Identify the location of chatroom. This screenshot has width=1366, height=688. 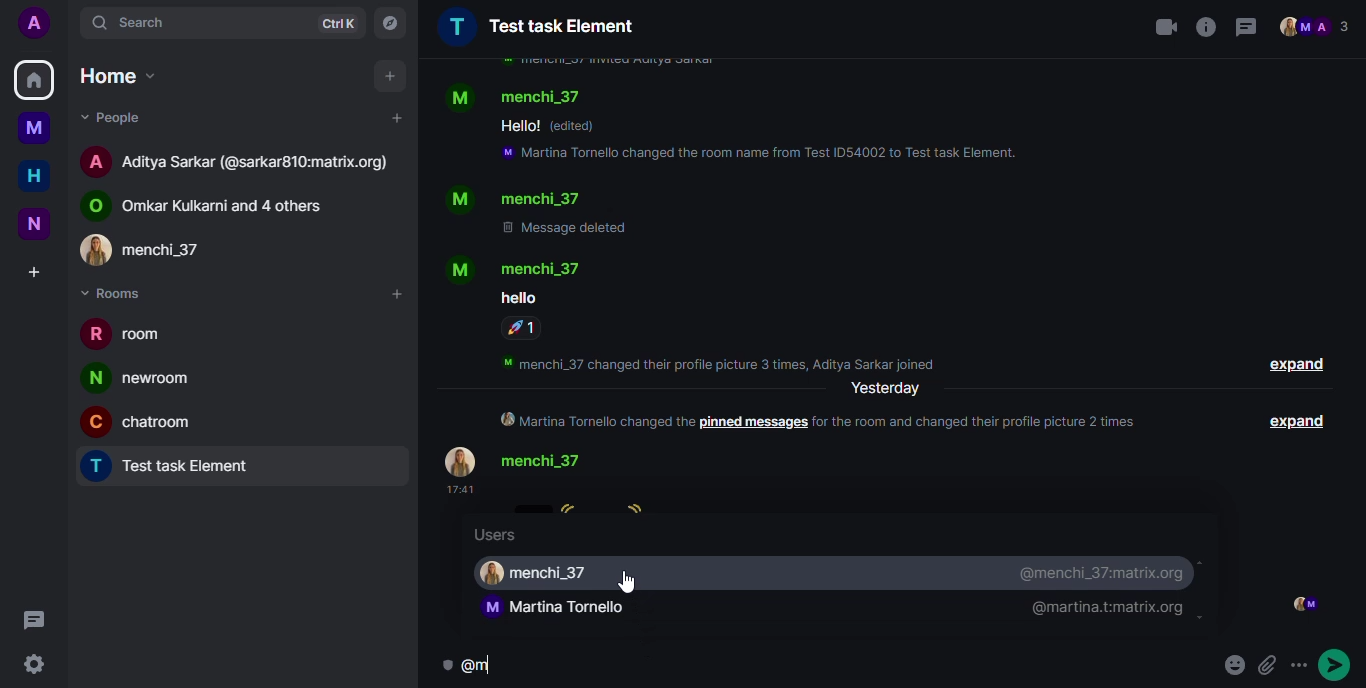
(146, 420).